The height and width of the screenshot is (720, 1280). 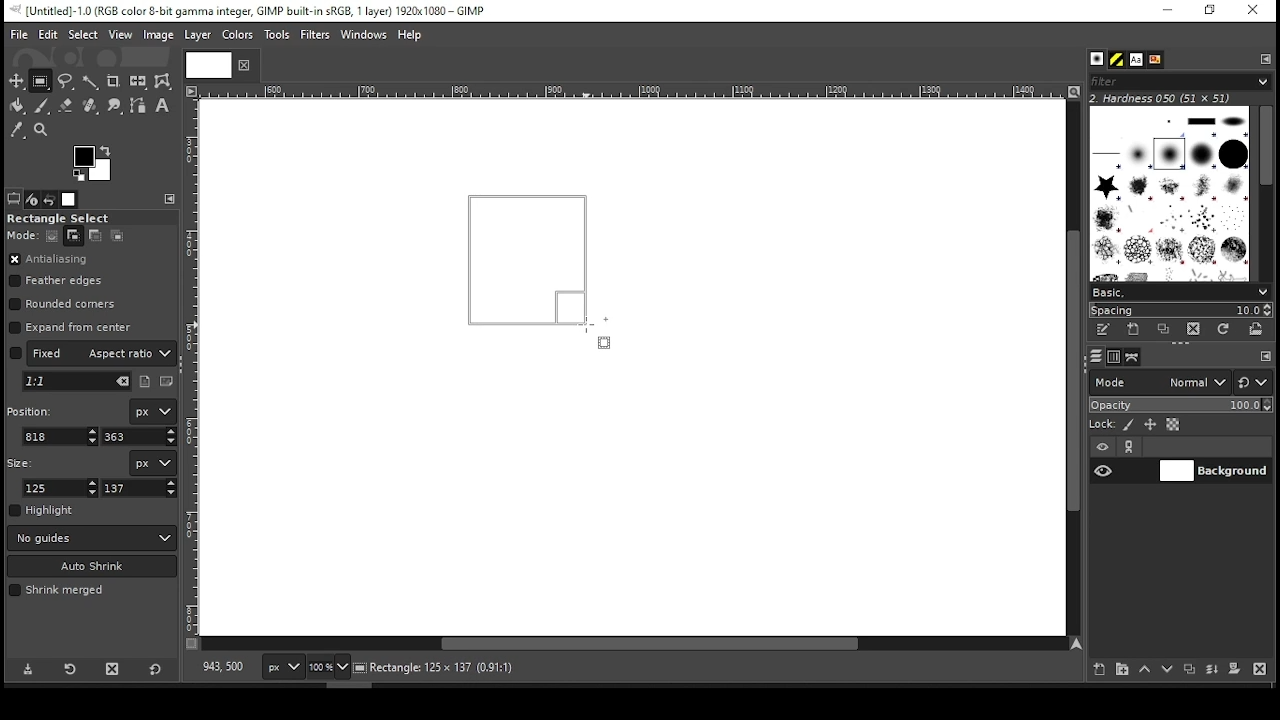 I want to click on help, so click(x=410, y=36).